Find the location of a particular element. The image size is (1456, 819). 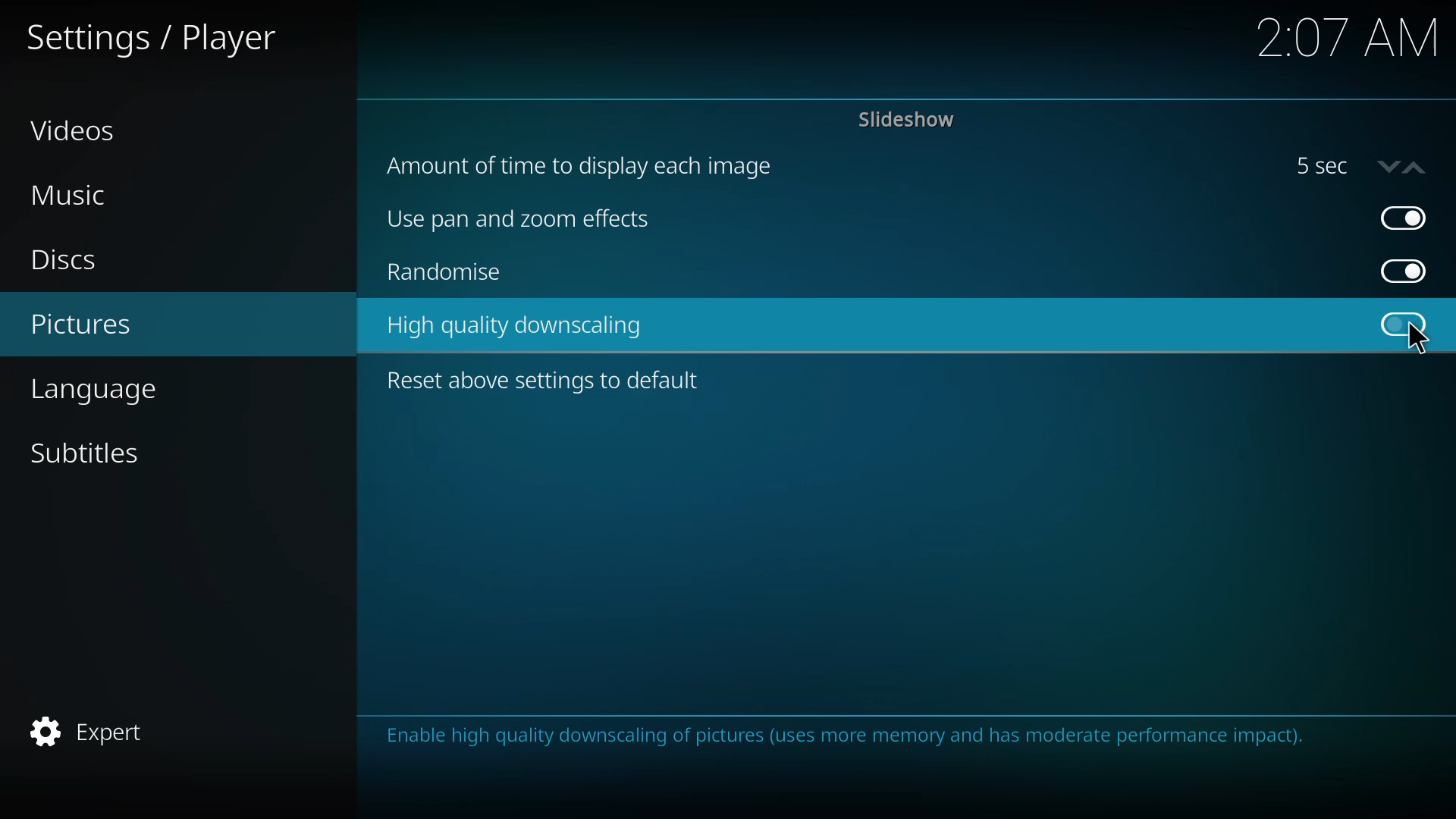

slideshow is located at coordinates (908, 120).